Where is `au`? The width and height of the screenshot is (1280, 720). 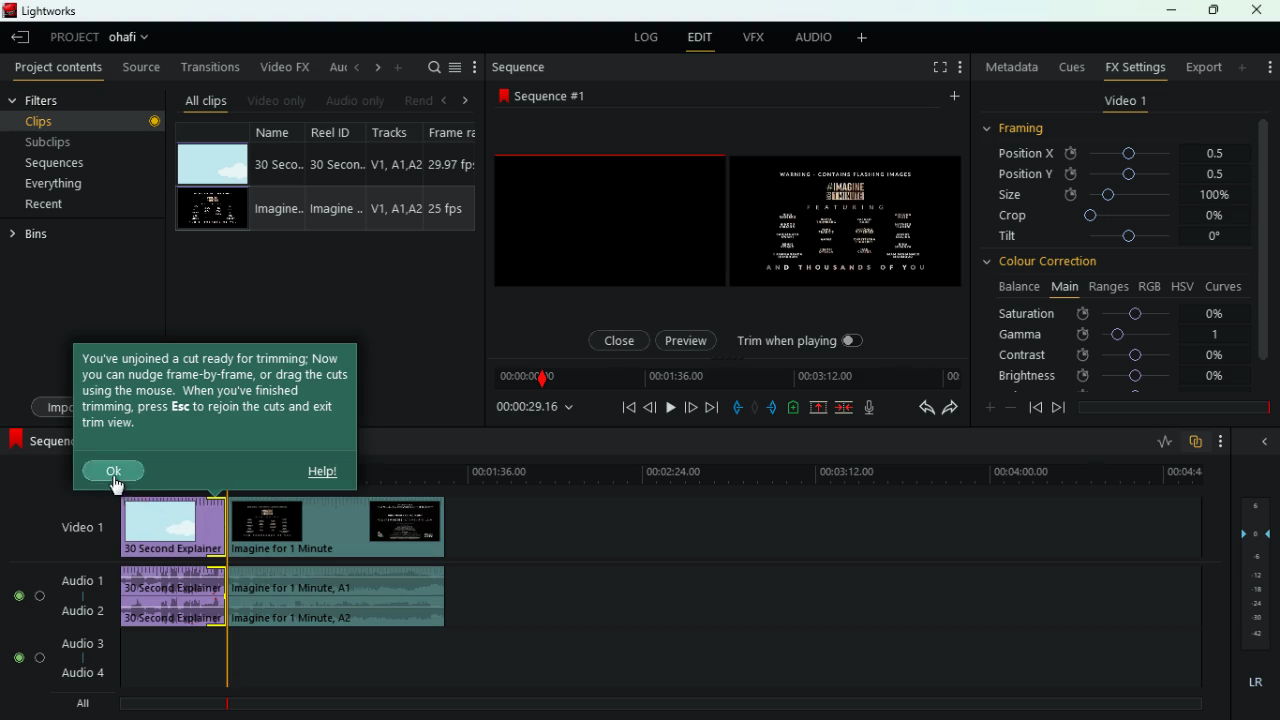 au is located at coordinates (334, 67).